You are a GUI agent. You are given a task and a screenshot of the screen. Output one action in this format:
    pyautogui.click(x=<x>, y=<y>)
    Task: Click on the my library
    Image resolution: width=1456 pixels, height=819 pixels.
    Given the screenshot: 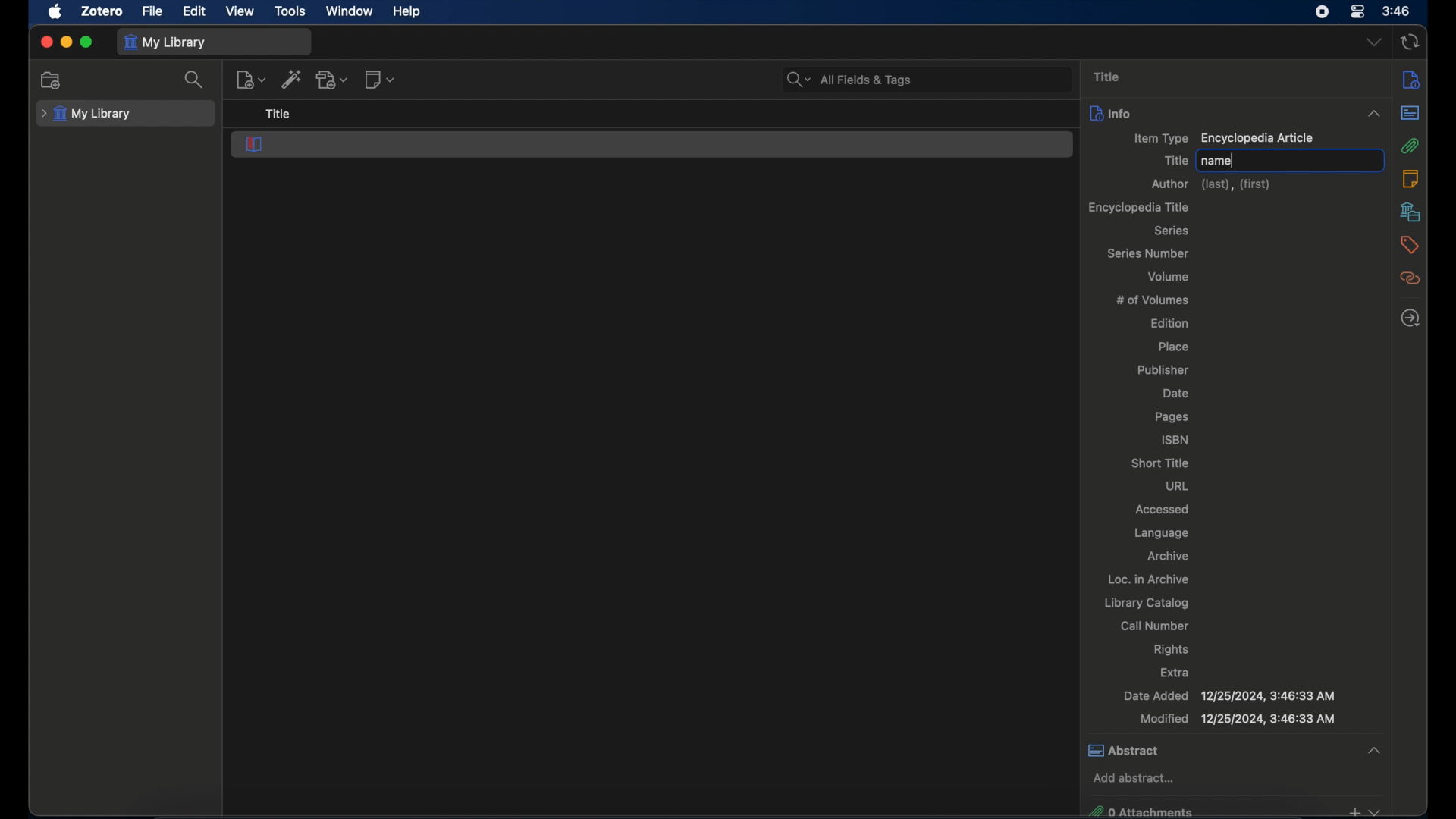 What is the action you would take?
    pyautogui.click(x=164, y=43)
    